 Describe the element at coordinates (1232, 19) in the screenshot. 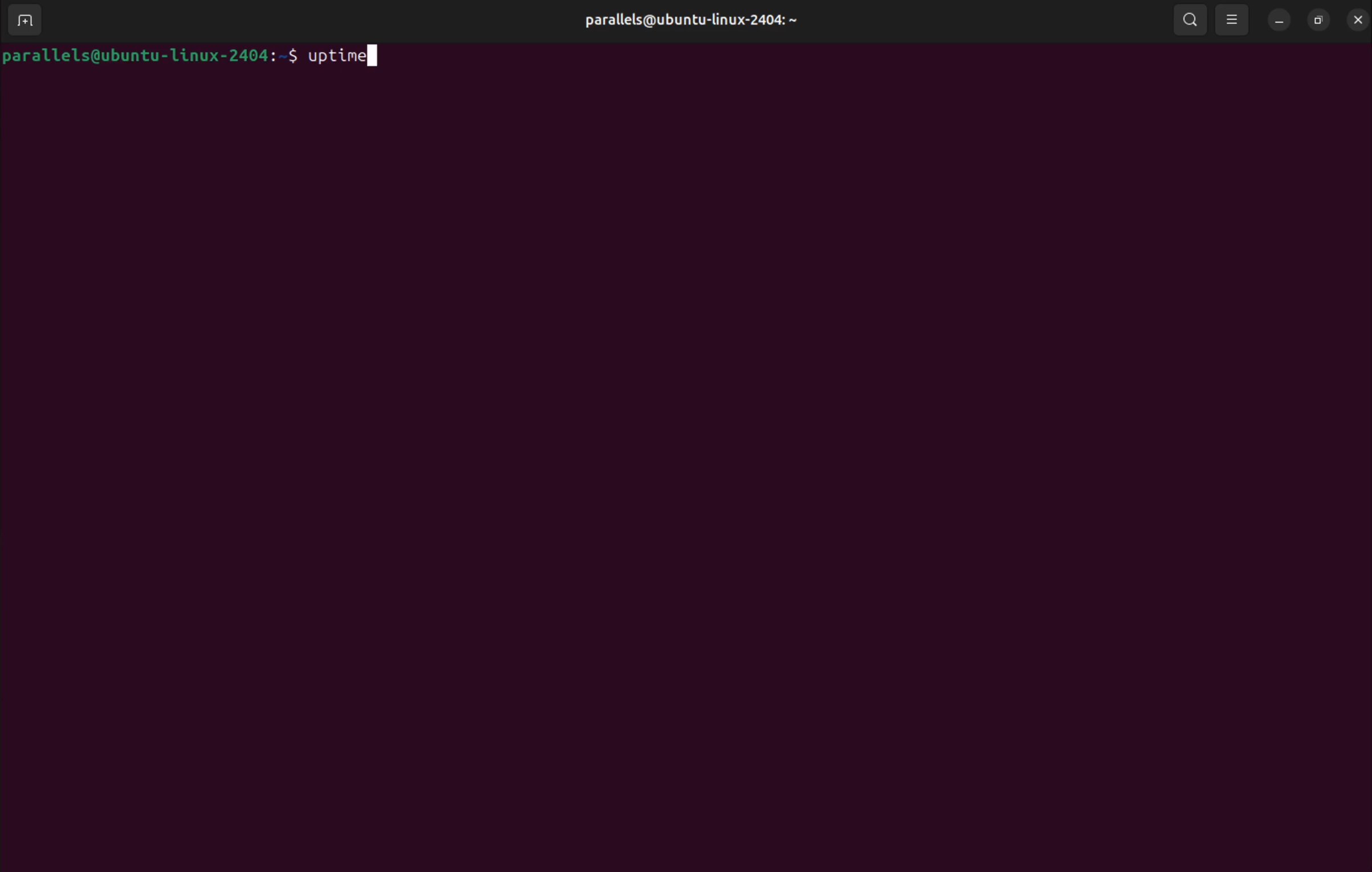

I see `view options` at that location.